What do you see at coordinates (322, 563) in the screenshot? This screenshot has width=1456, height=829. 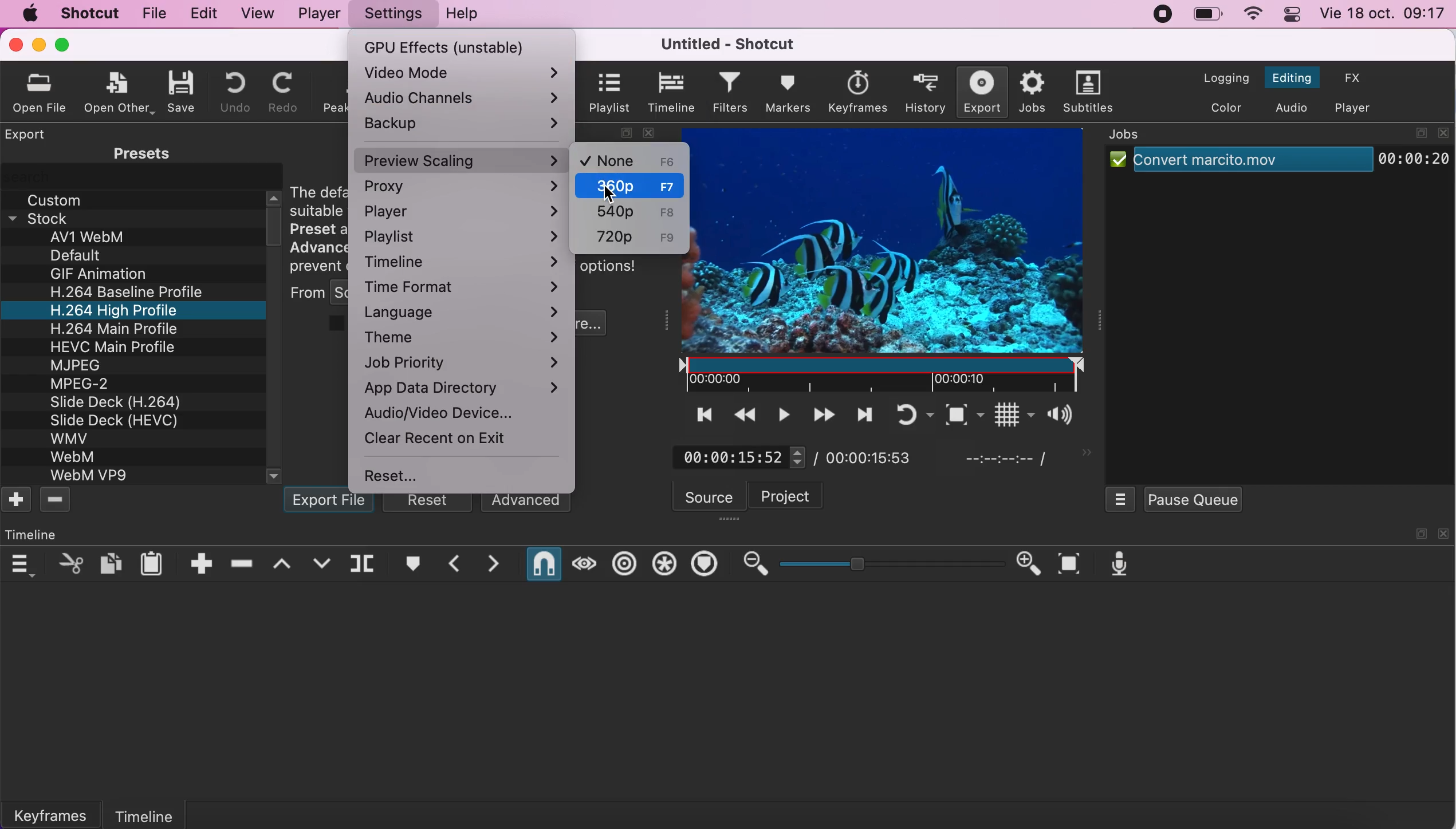 I see `overwrite` at bounding box center [322, 563].